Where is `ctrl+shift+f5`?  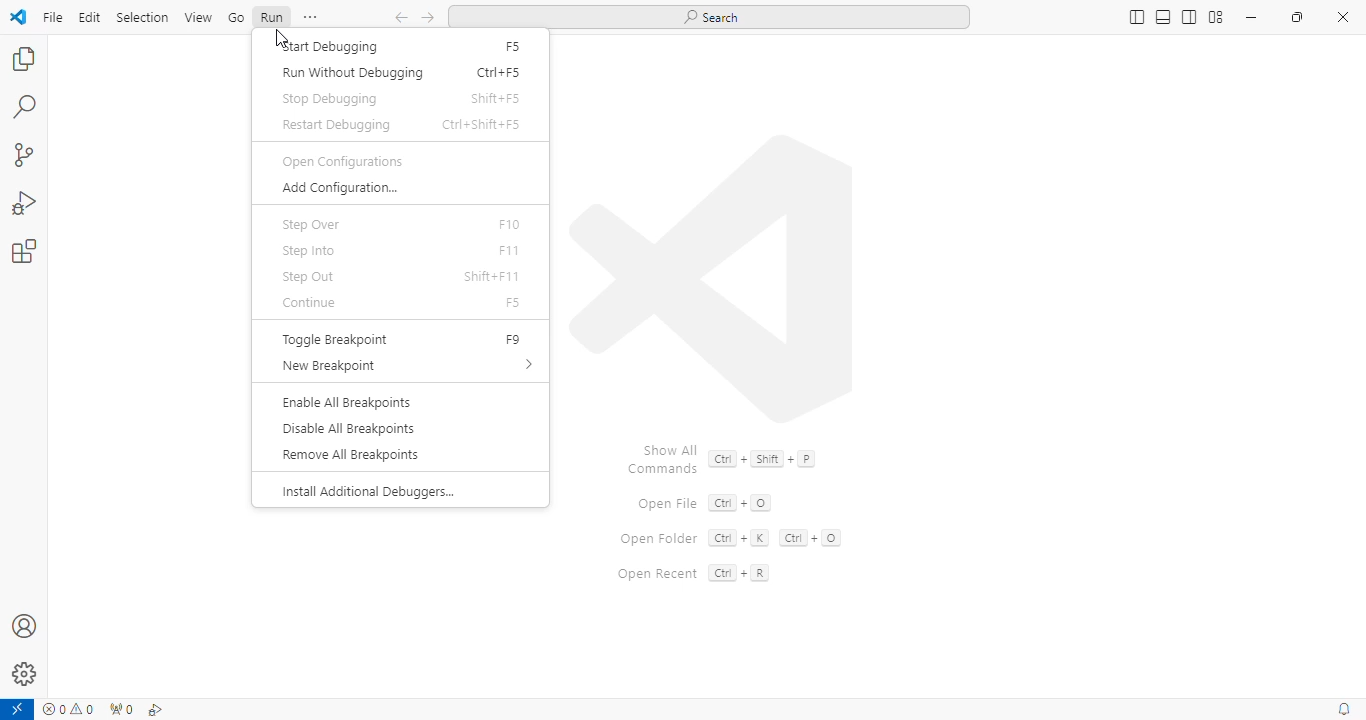 ctrl+shift+f5 is located at coordinates (481, 125).